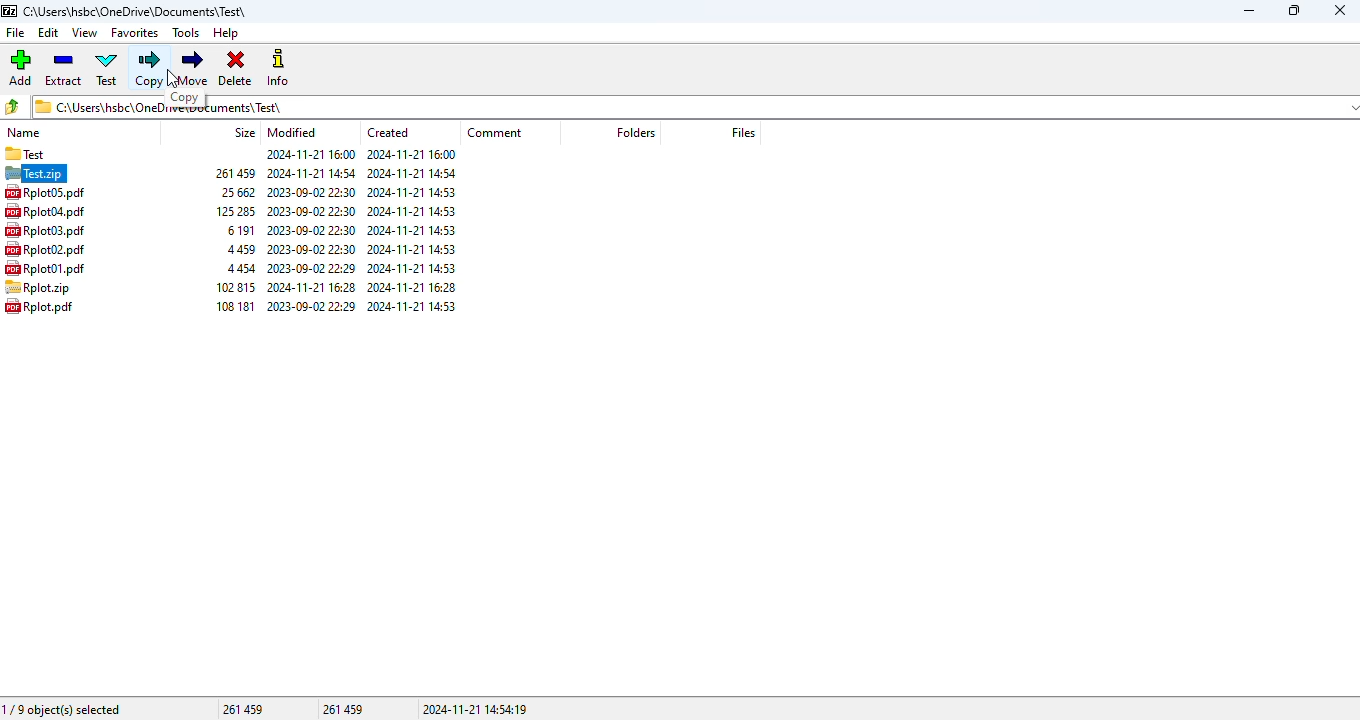 The image size is (1360, 720). I want to click on modified date & time, so click(311, 192).